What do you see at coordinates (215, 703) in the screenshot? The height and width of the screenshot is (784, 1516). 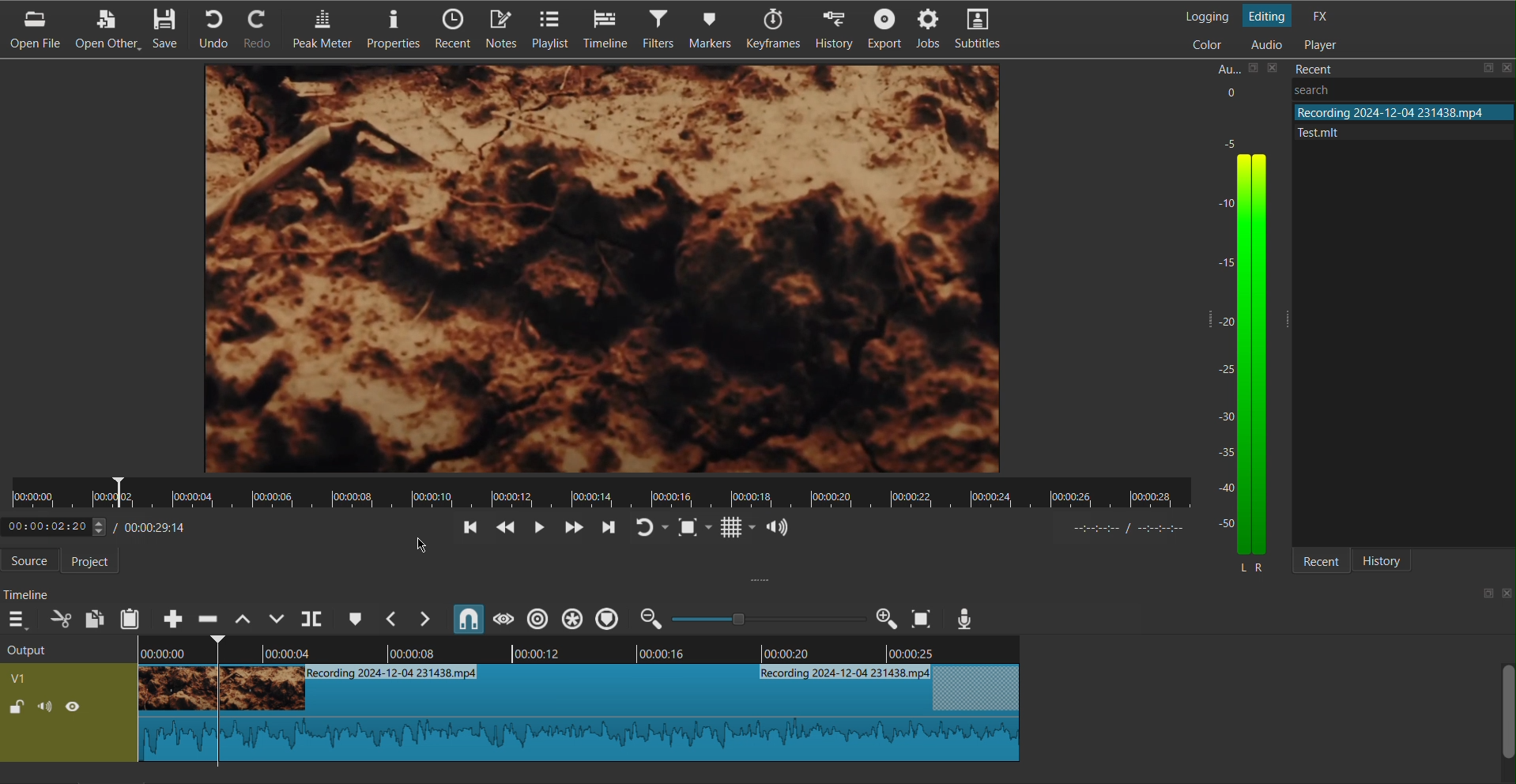 I see `Cut` at bounding box center [215, 703].